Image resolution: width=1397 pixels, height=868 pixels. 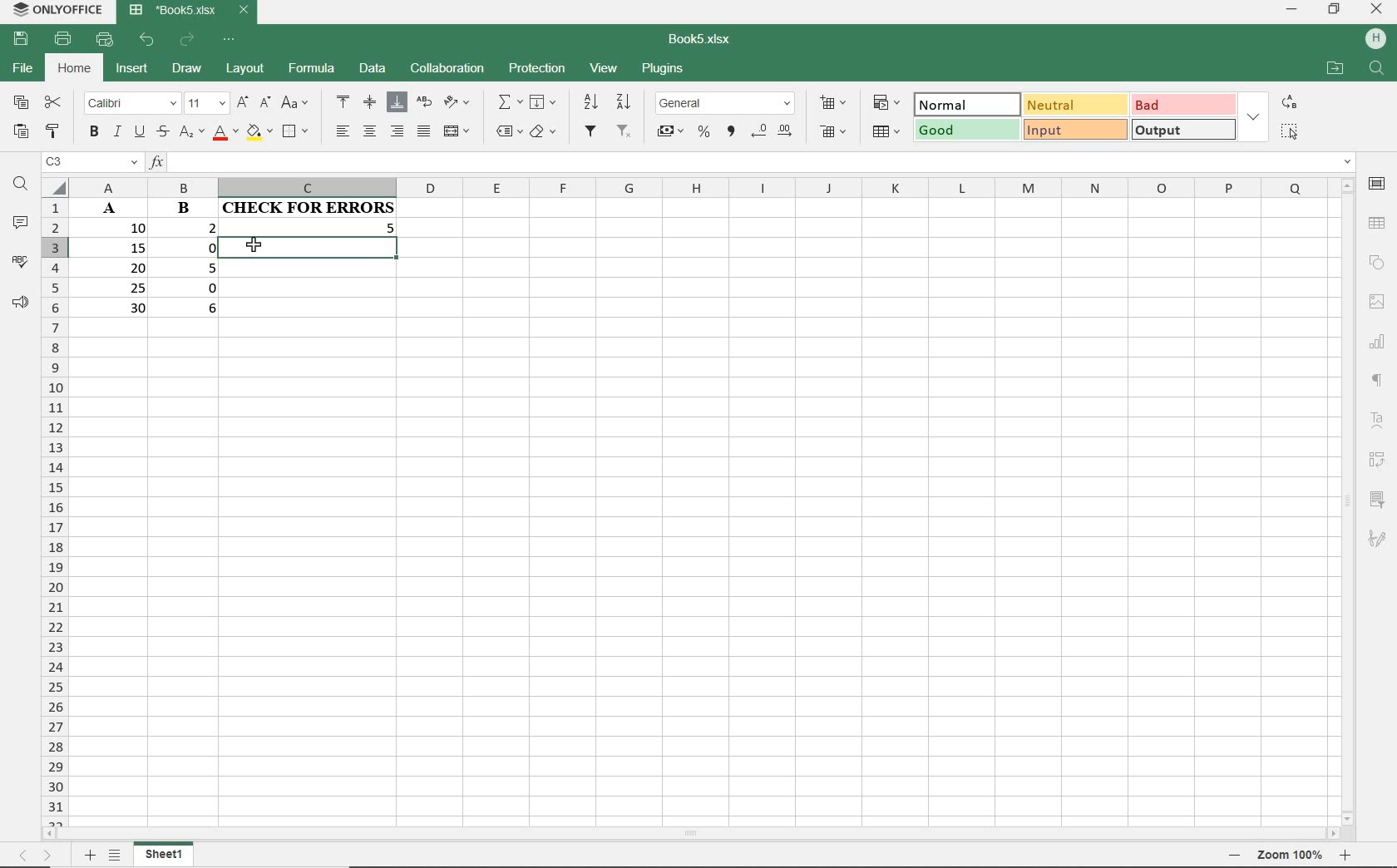 I want to click on CUT, so click(x=53, y=104).